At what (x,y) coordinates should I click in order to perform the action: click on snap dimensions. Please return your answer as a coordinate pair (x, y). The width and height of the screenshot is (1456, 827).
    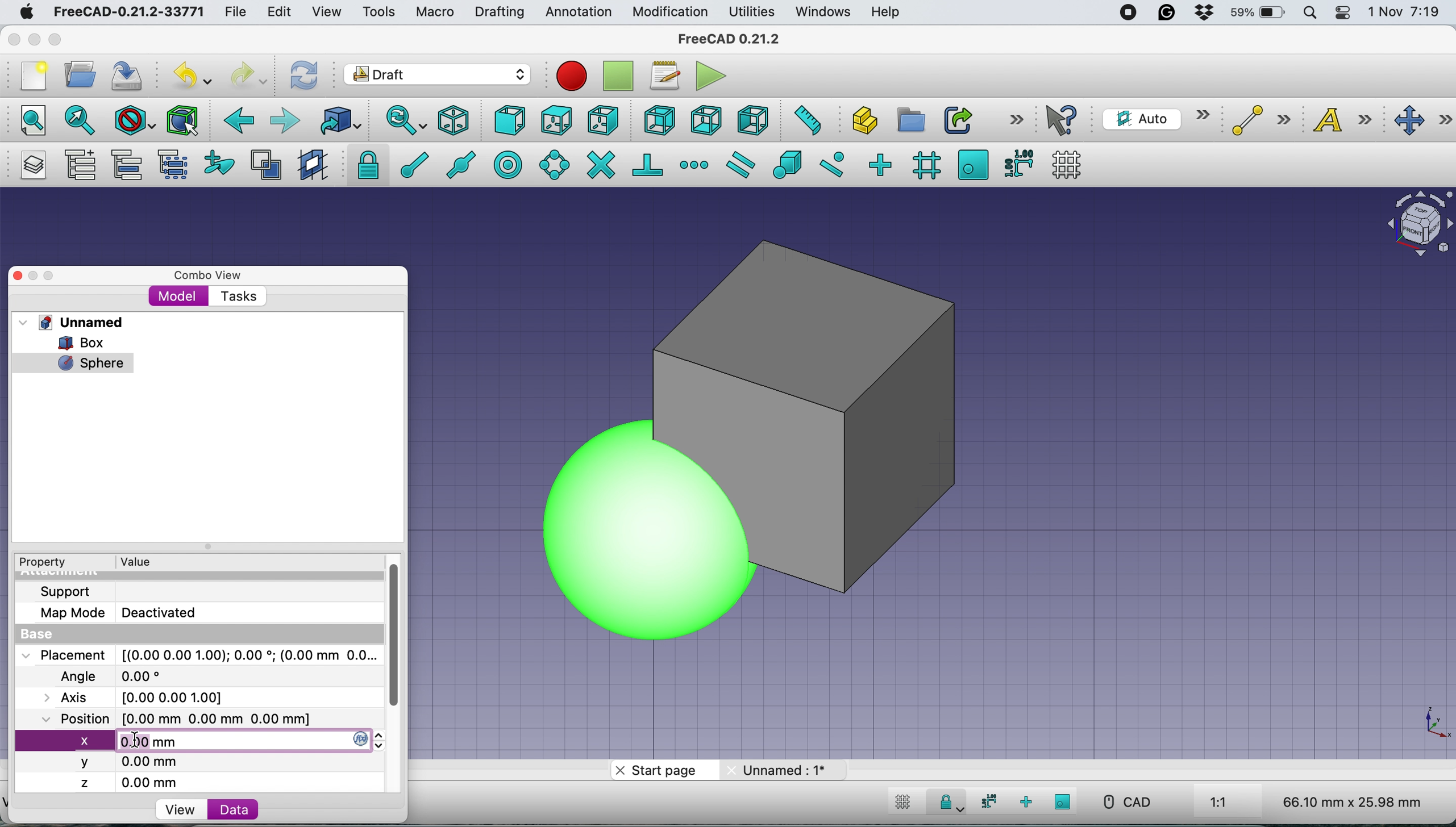
    Looking at the image, I should click on (1018, 162).